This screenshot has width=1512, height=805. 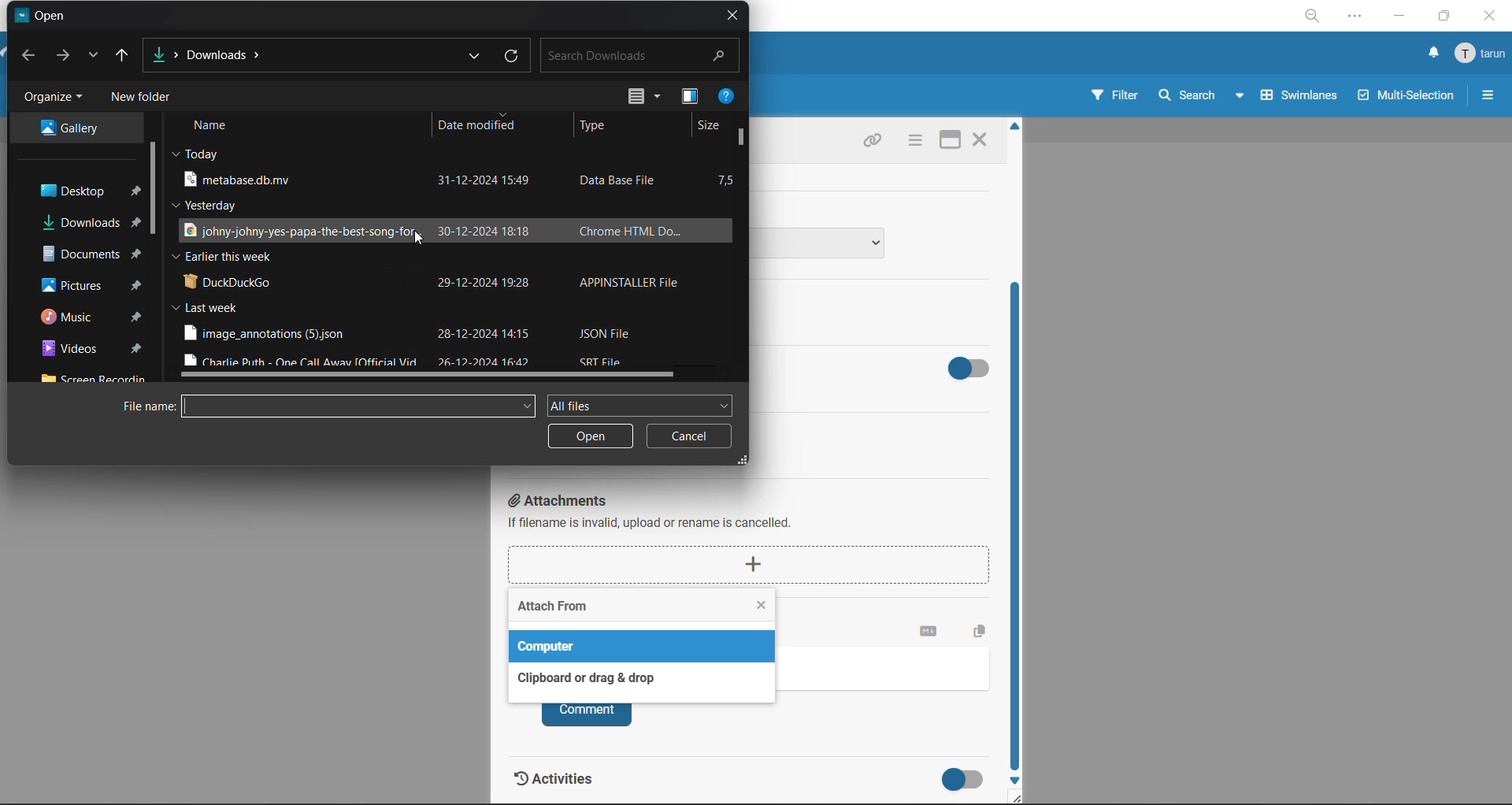 I want to click on copy link, so click(x=872, y=143).